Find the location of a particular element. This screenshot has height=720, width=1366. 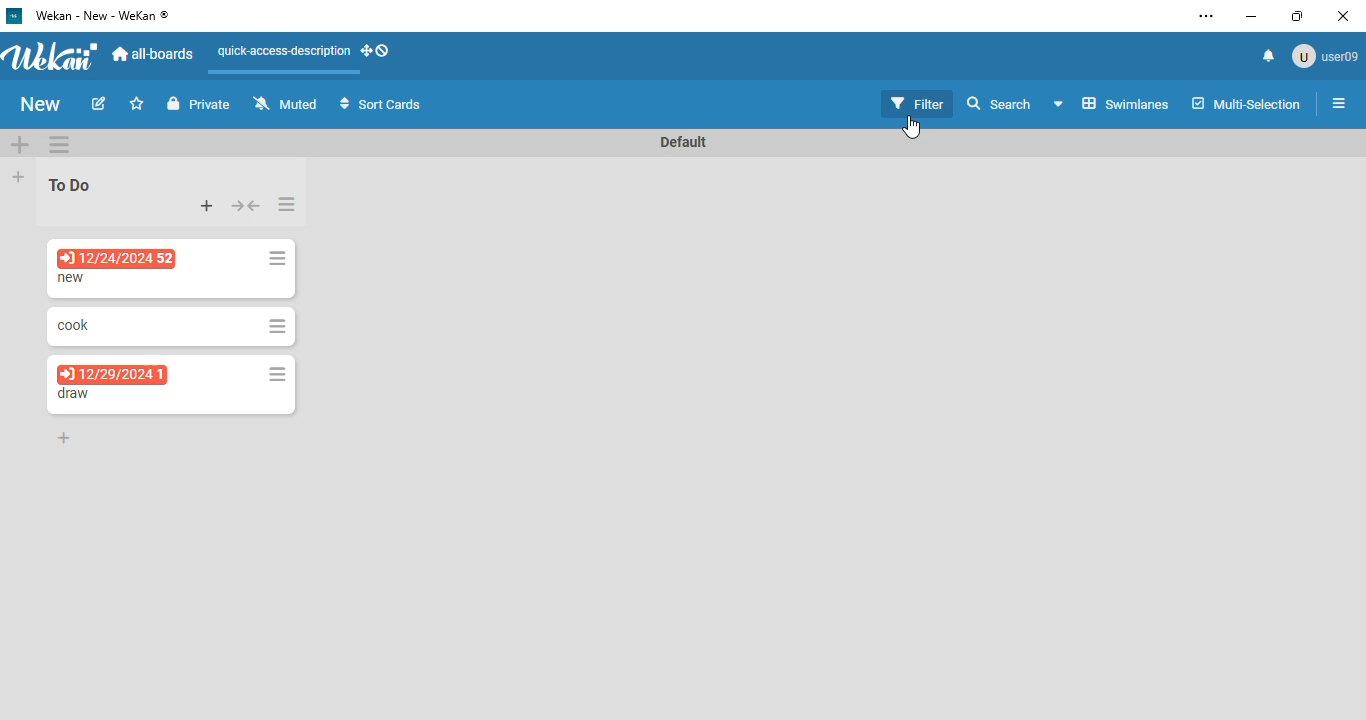

card actions is located at coordinates (277, 373).